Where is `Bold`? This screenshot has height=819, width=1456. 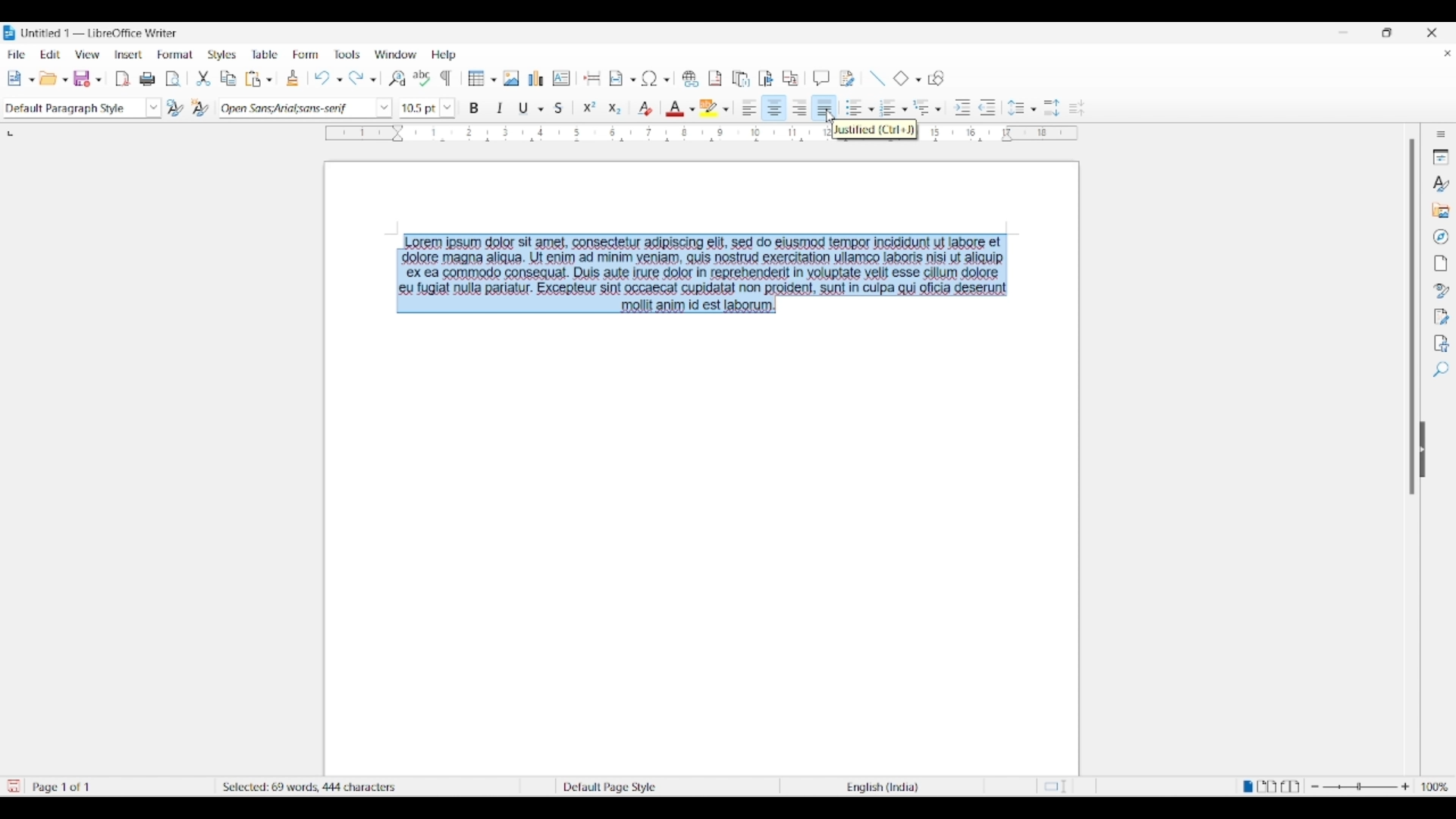
Bold is located at coordinates (475, 108).